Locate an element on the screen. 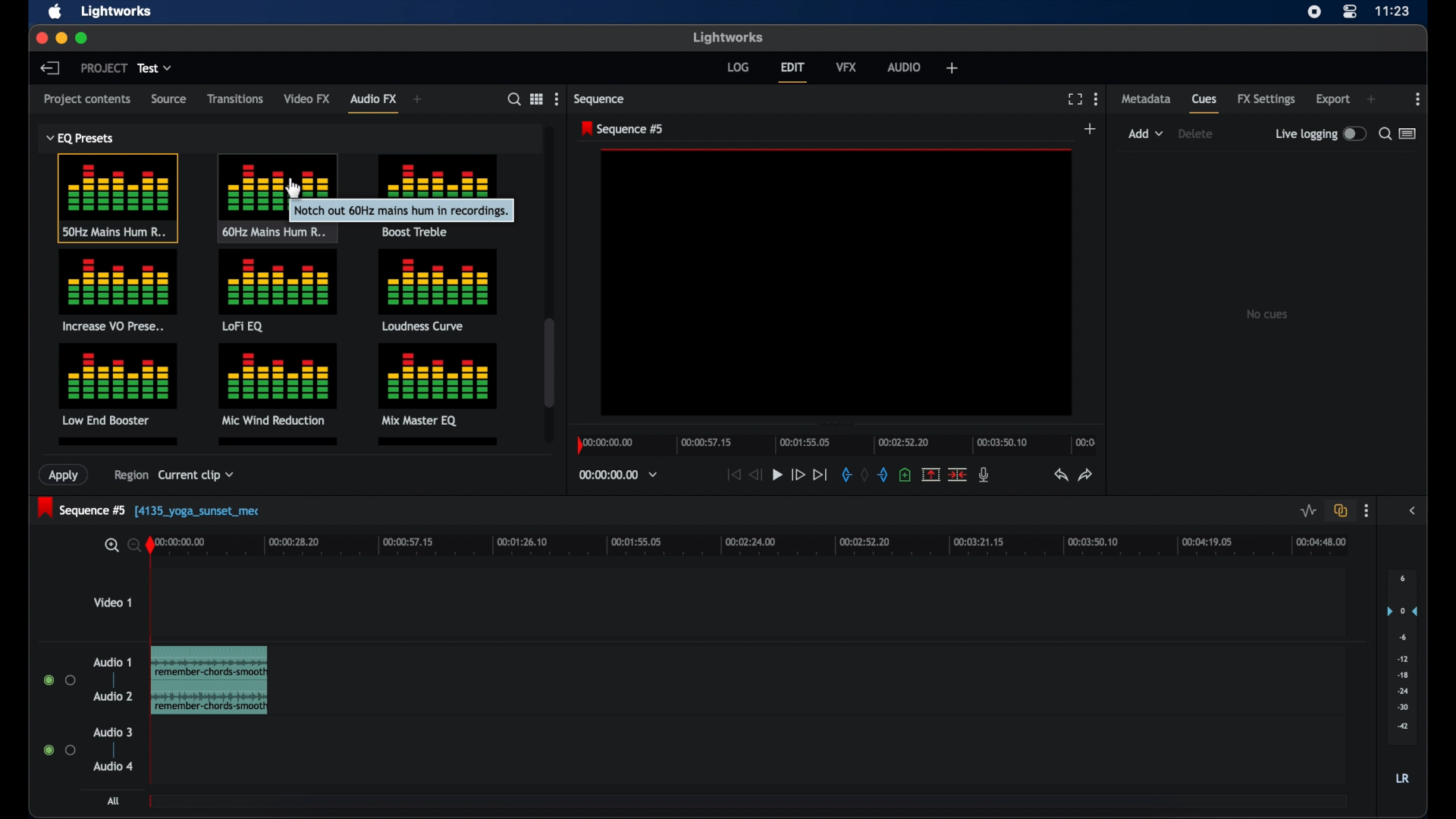 This screenshot has width=1456, height=819. audio 4 is located at coordinates (114, 766).